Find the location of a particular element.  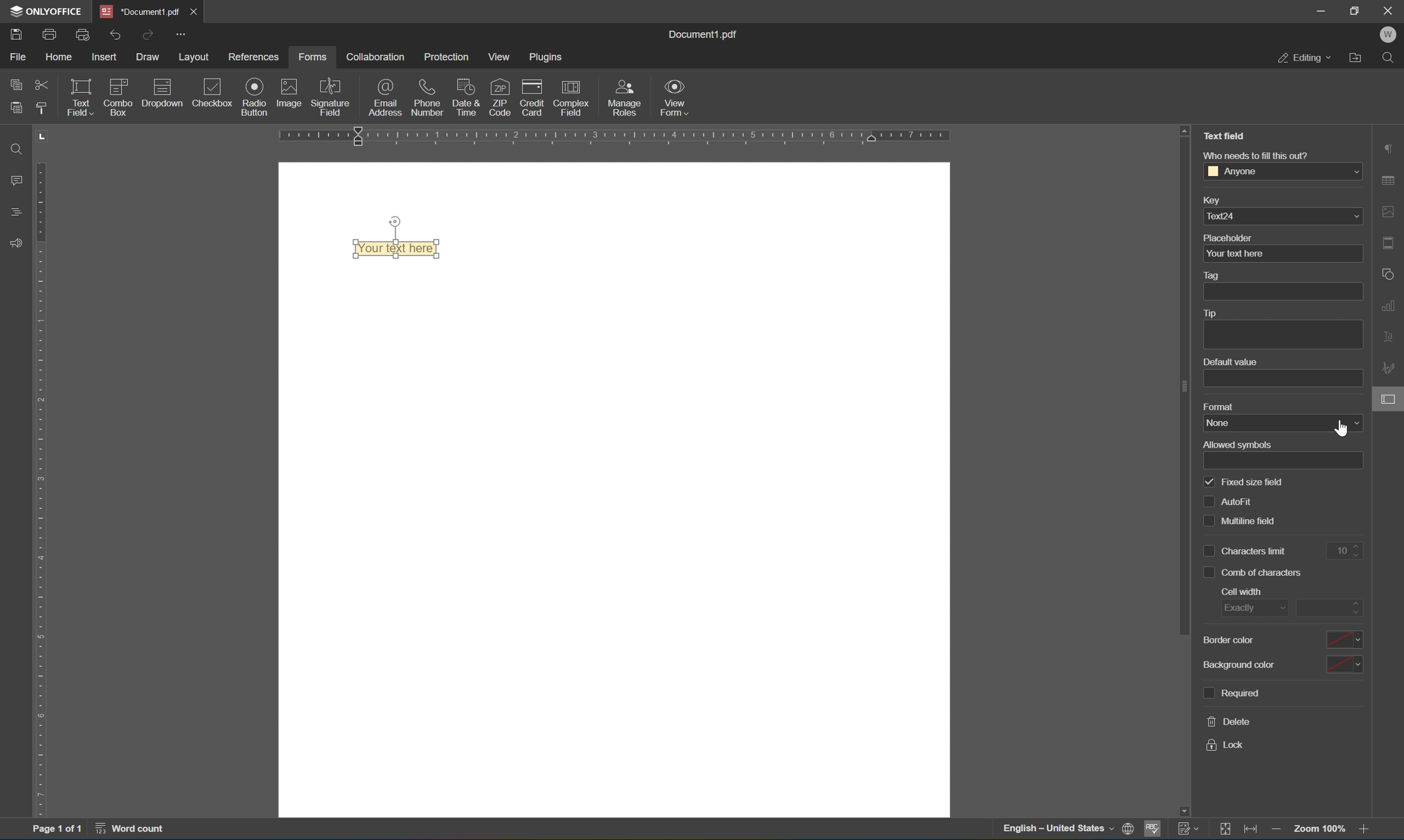

date and time is located at coordinates (466, 96).